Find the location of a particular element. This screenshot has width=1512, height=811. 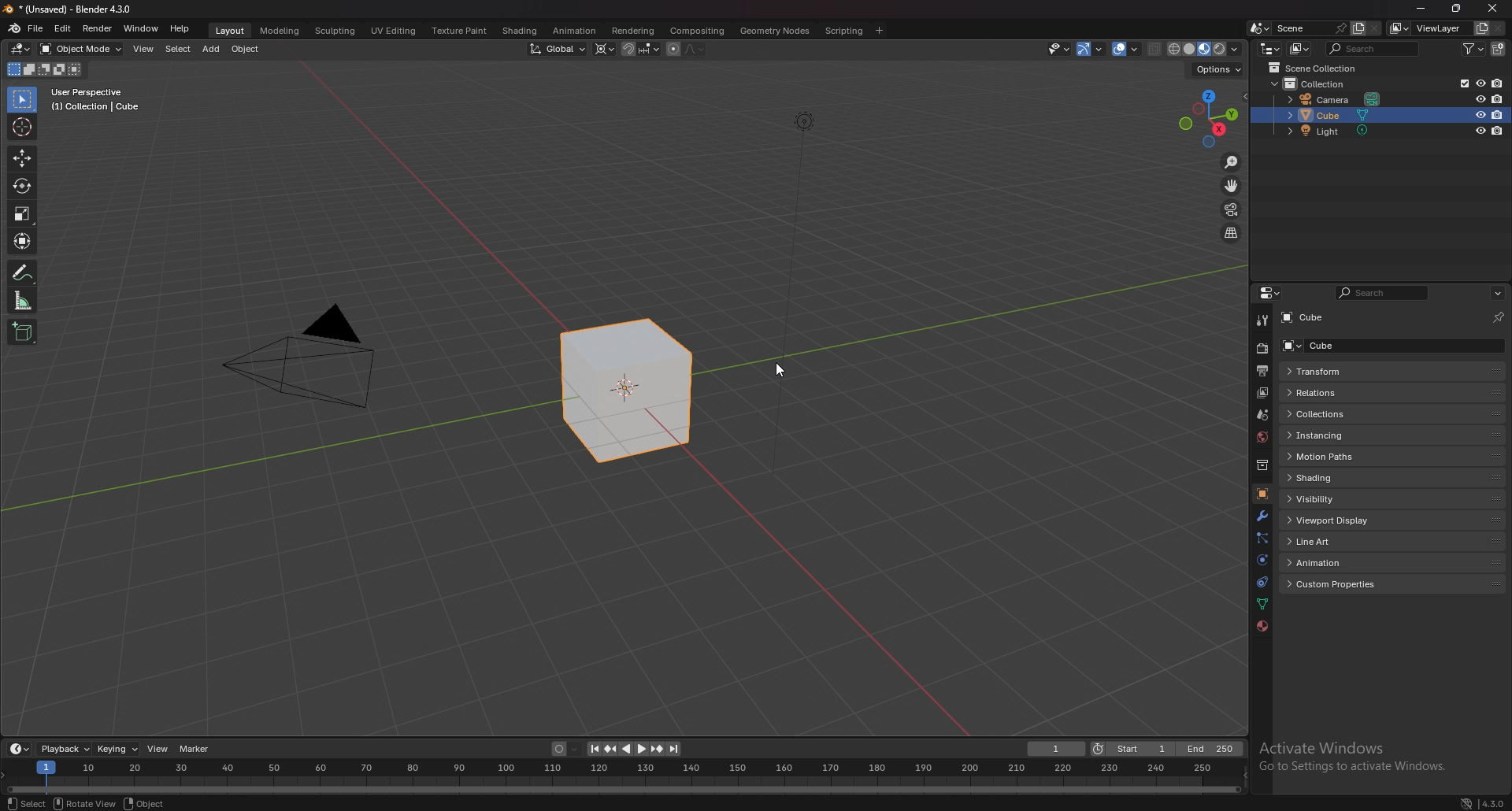

object is located at coordinates (1264, 492).